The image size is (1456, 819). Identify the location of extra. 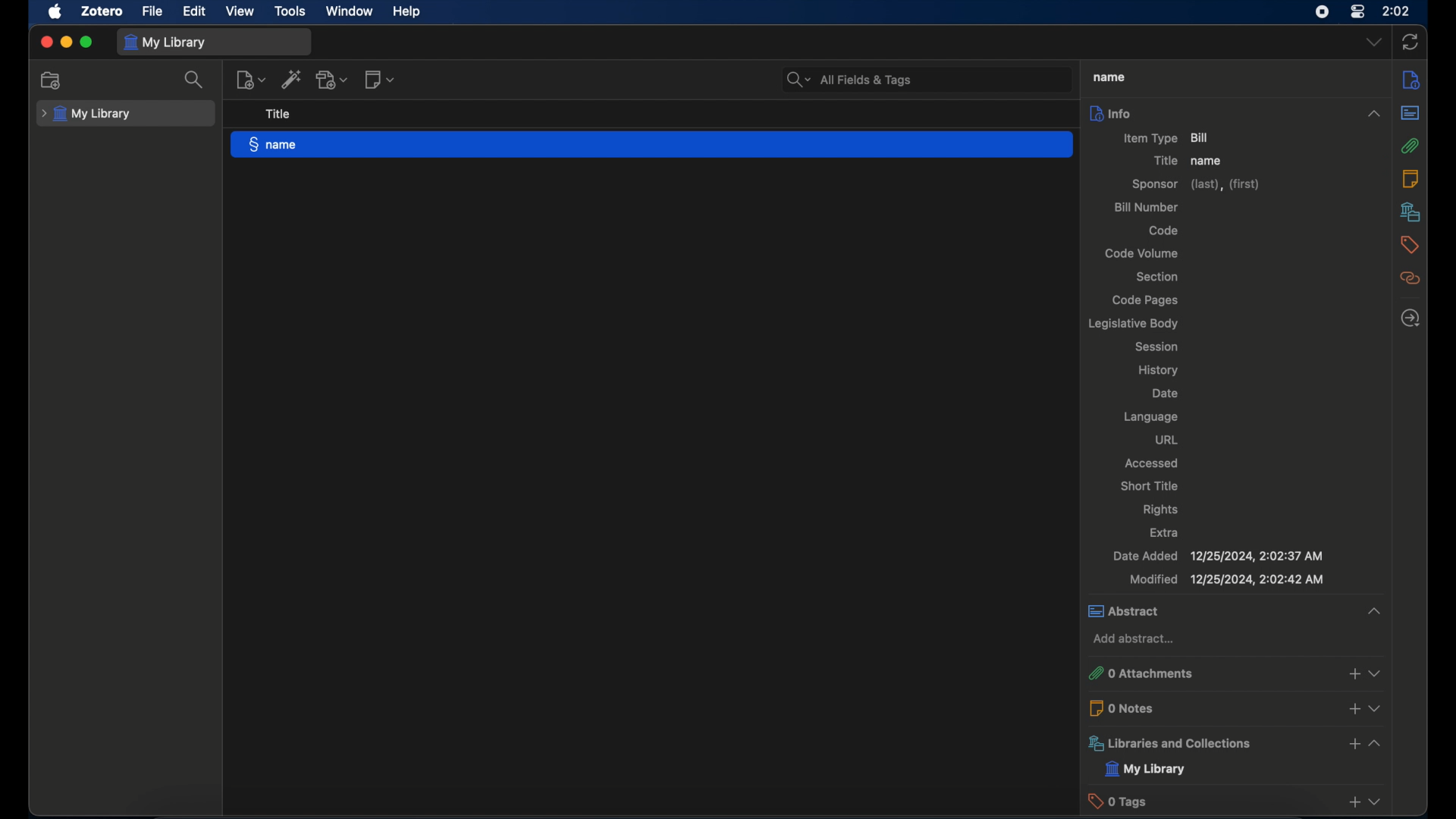
(1164, 533).